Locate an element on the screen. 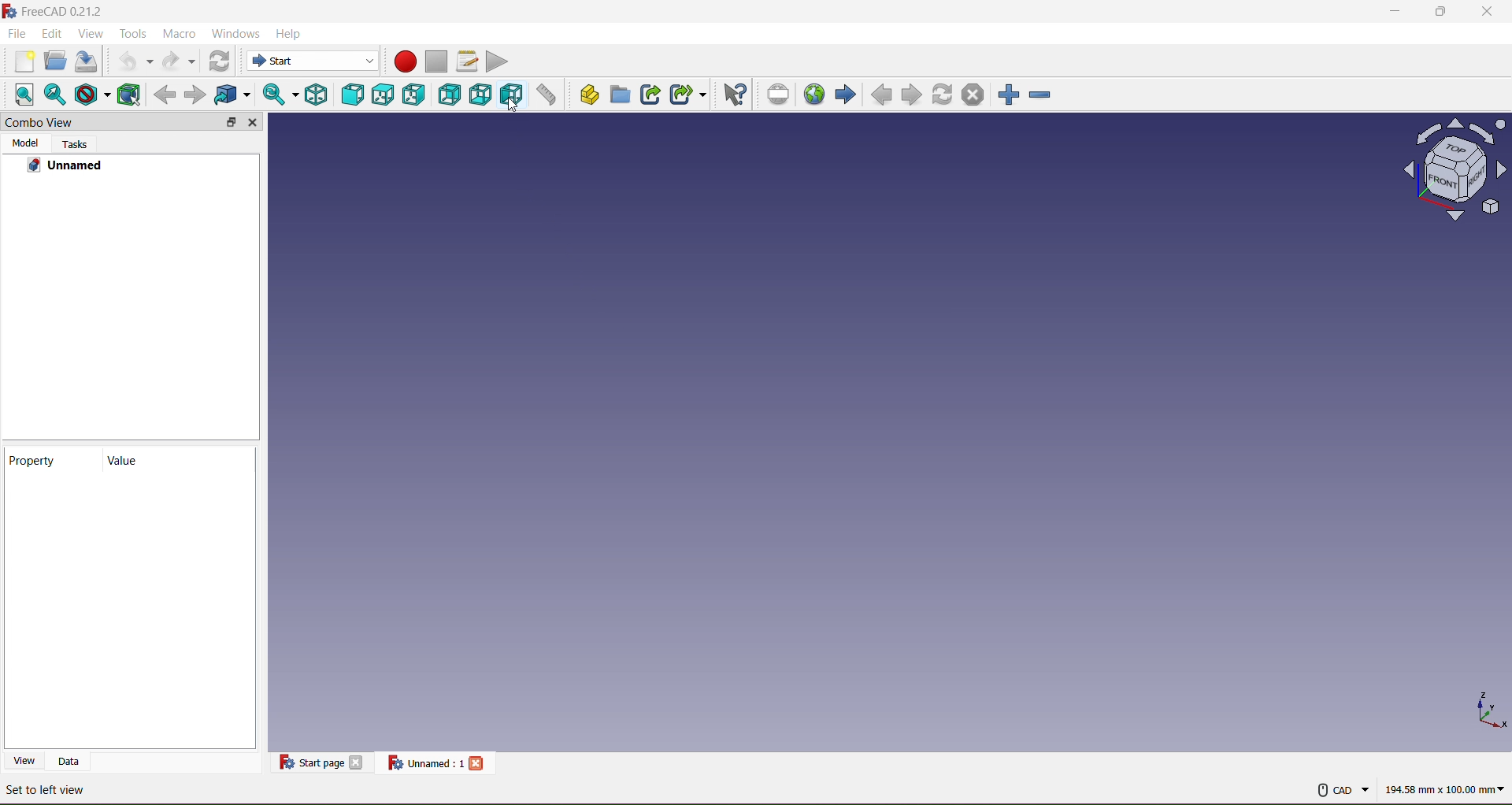 This screenshot has width=1512, height=805. Backward Navigation is located at coordinates (881, 95).